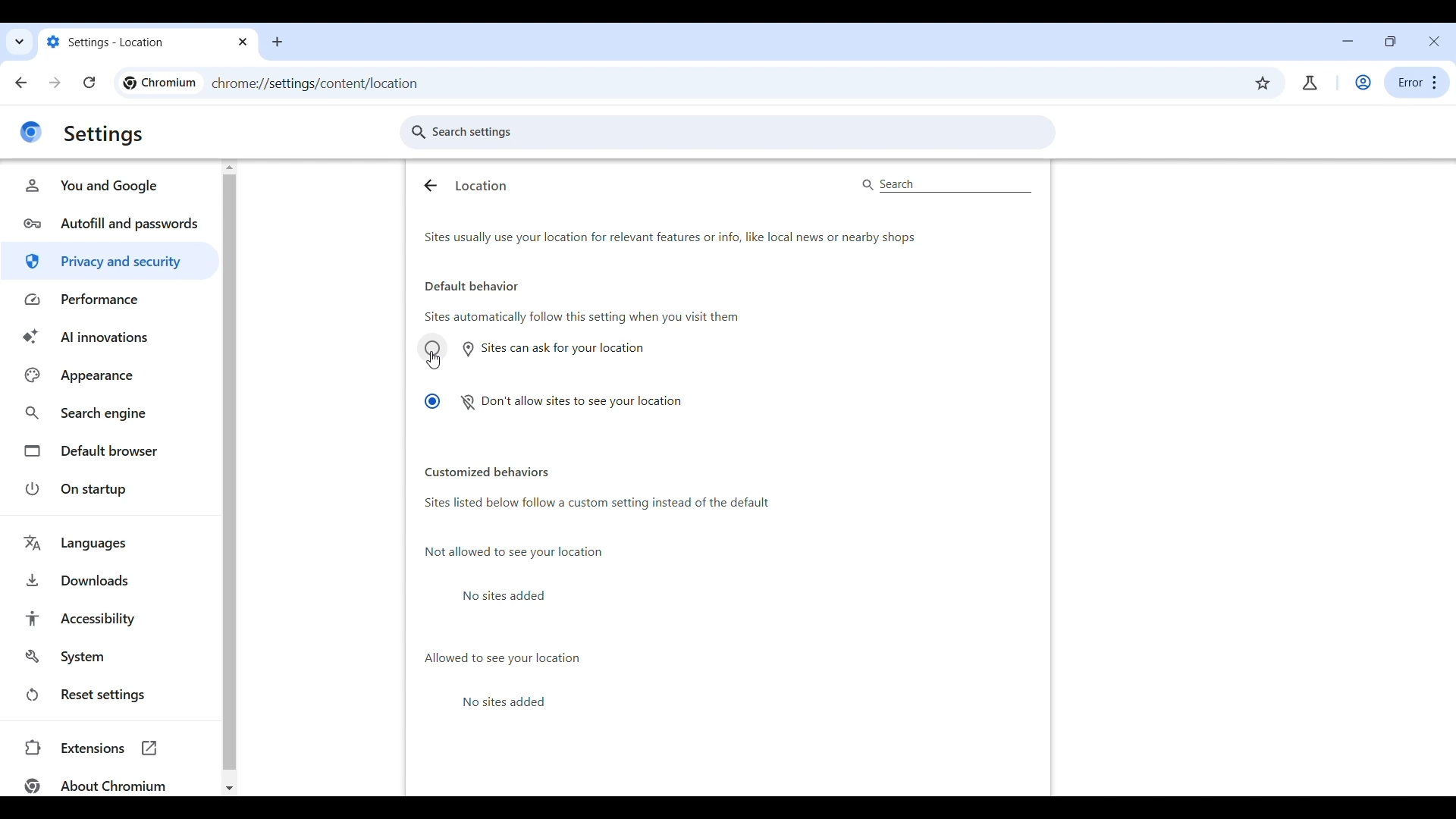  I want to click on Go back, so click(22, 83).